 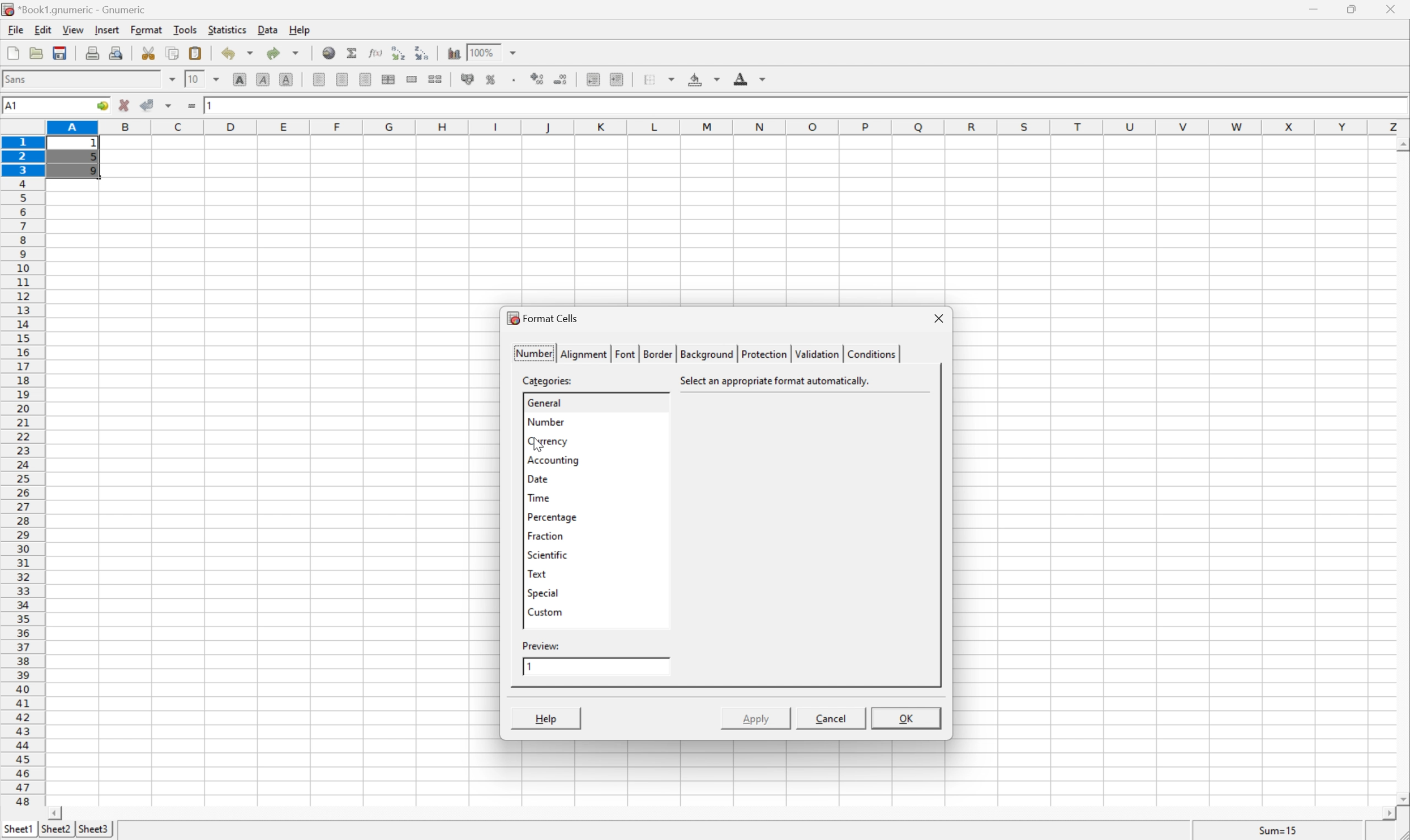 What do you see at coordinates (538, 497) in the screenshot?
I see `time` at bounding box center [538, 497].